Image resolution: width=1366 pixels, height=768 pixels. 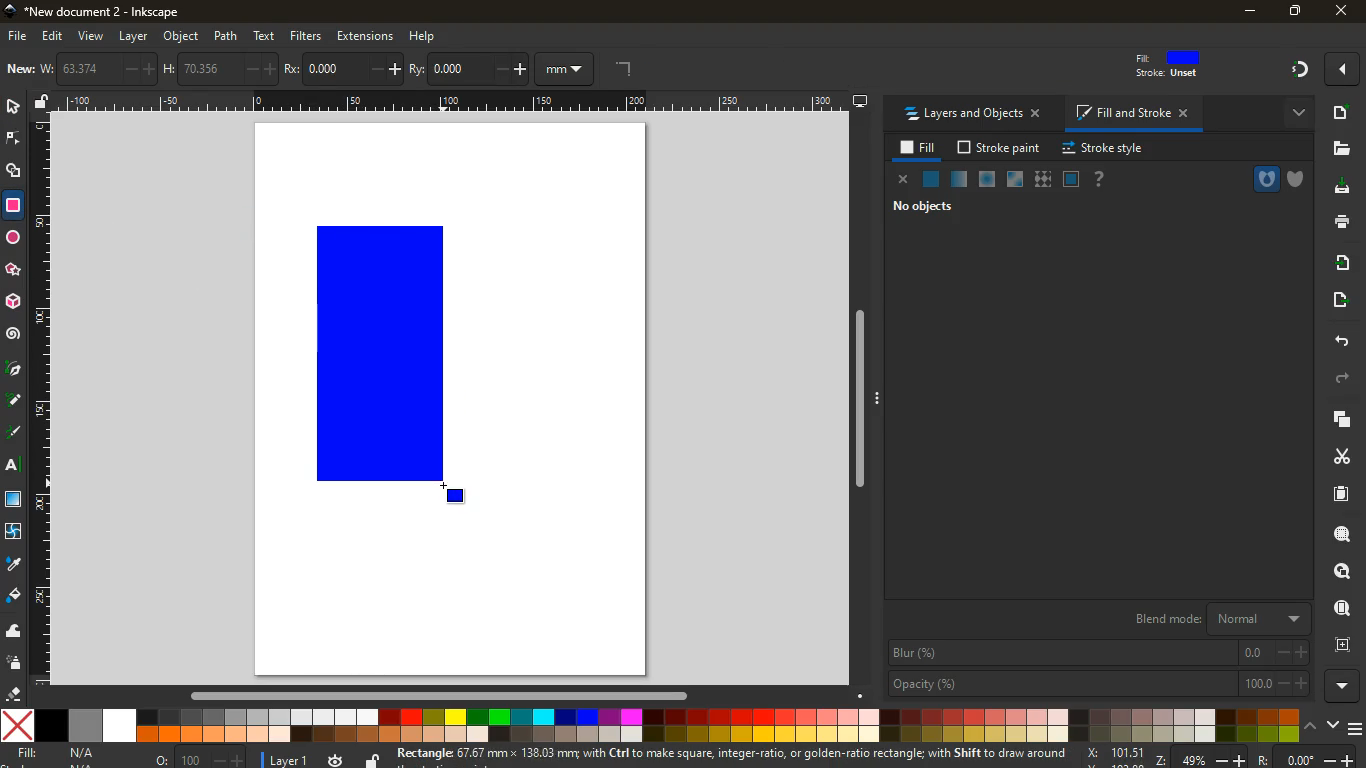 I want to click on spray, so click(x=15, y=663).